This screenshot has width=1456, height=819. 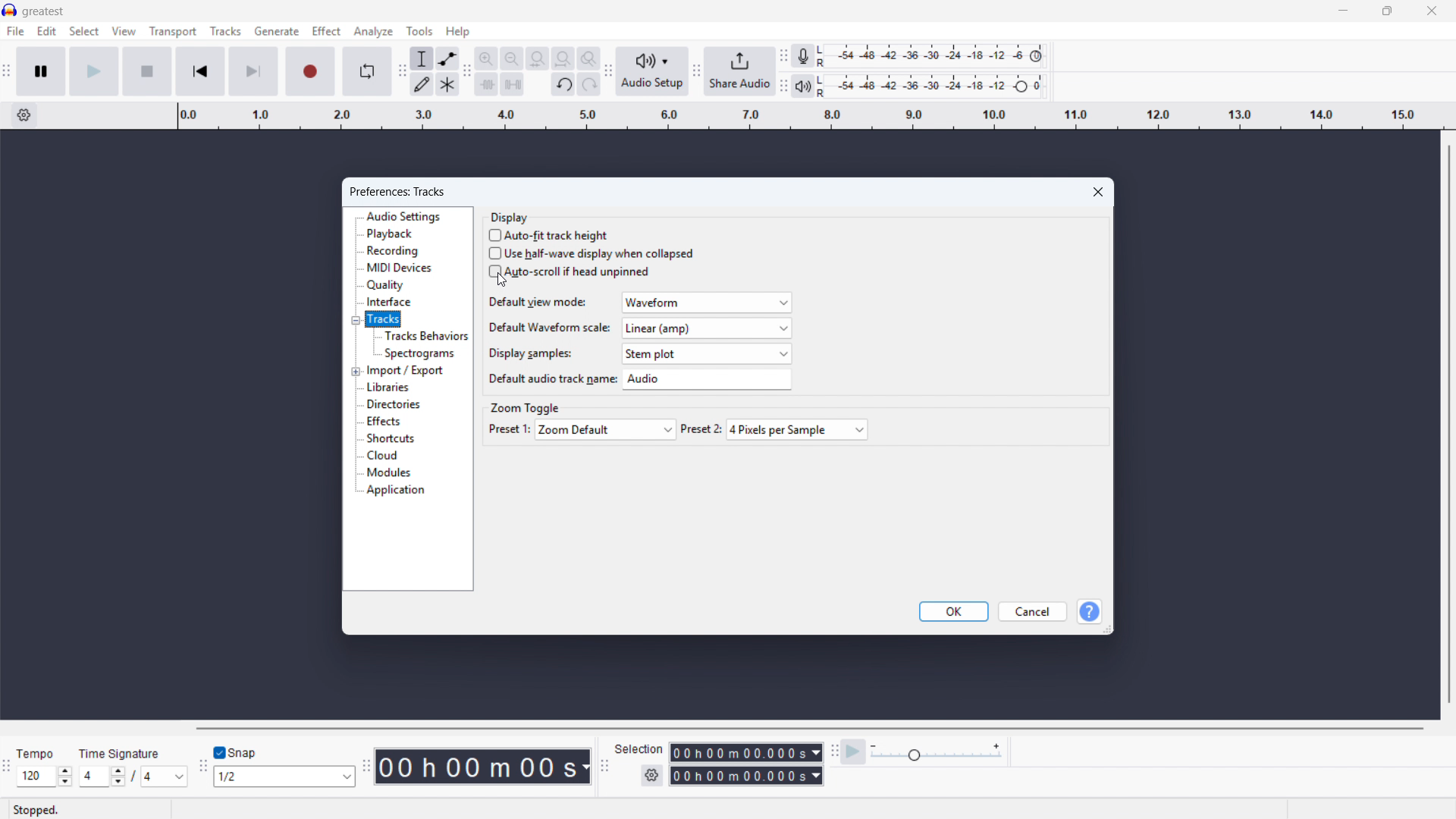 I want to click on Timestamp , so click(x=484, y=767).